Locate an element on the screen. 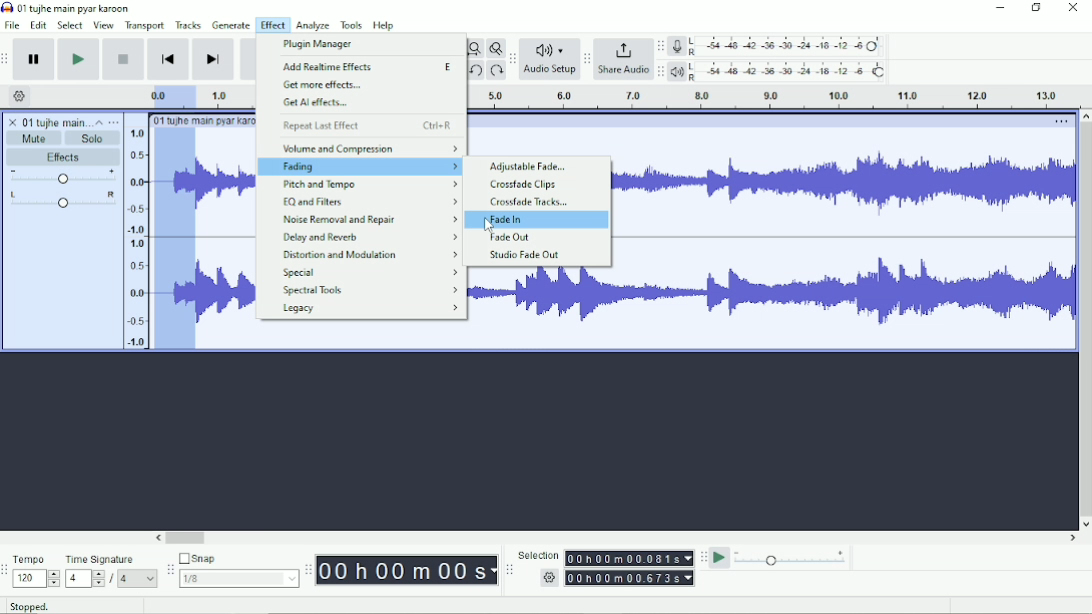 The width and height of the screenshot is (1092, 614). Logo is located at coordinates (7, 7).